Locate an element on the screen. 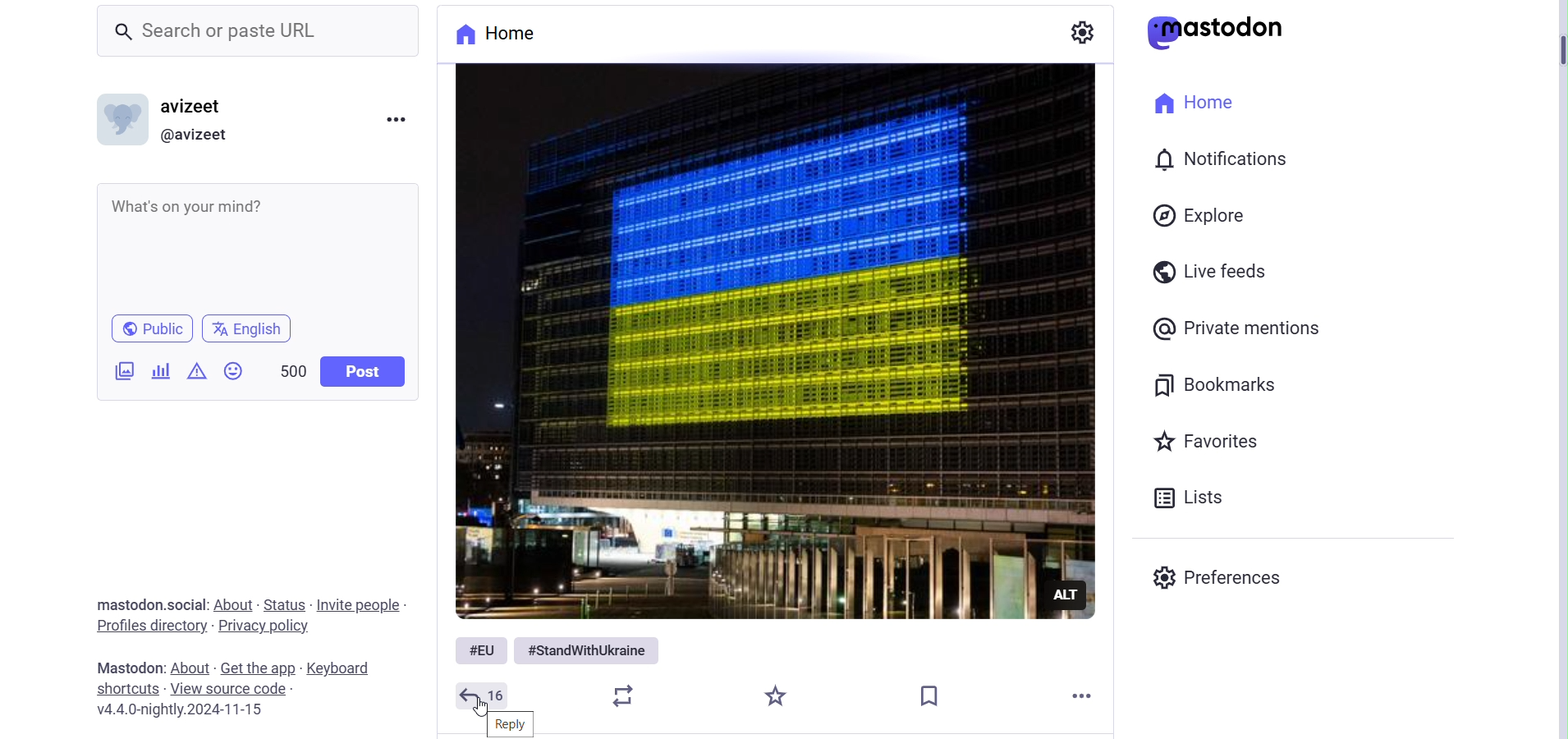 This screenshot has width=1568, height=739. What's on your mind is located at coordinates (257, 245).